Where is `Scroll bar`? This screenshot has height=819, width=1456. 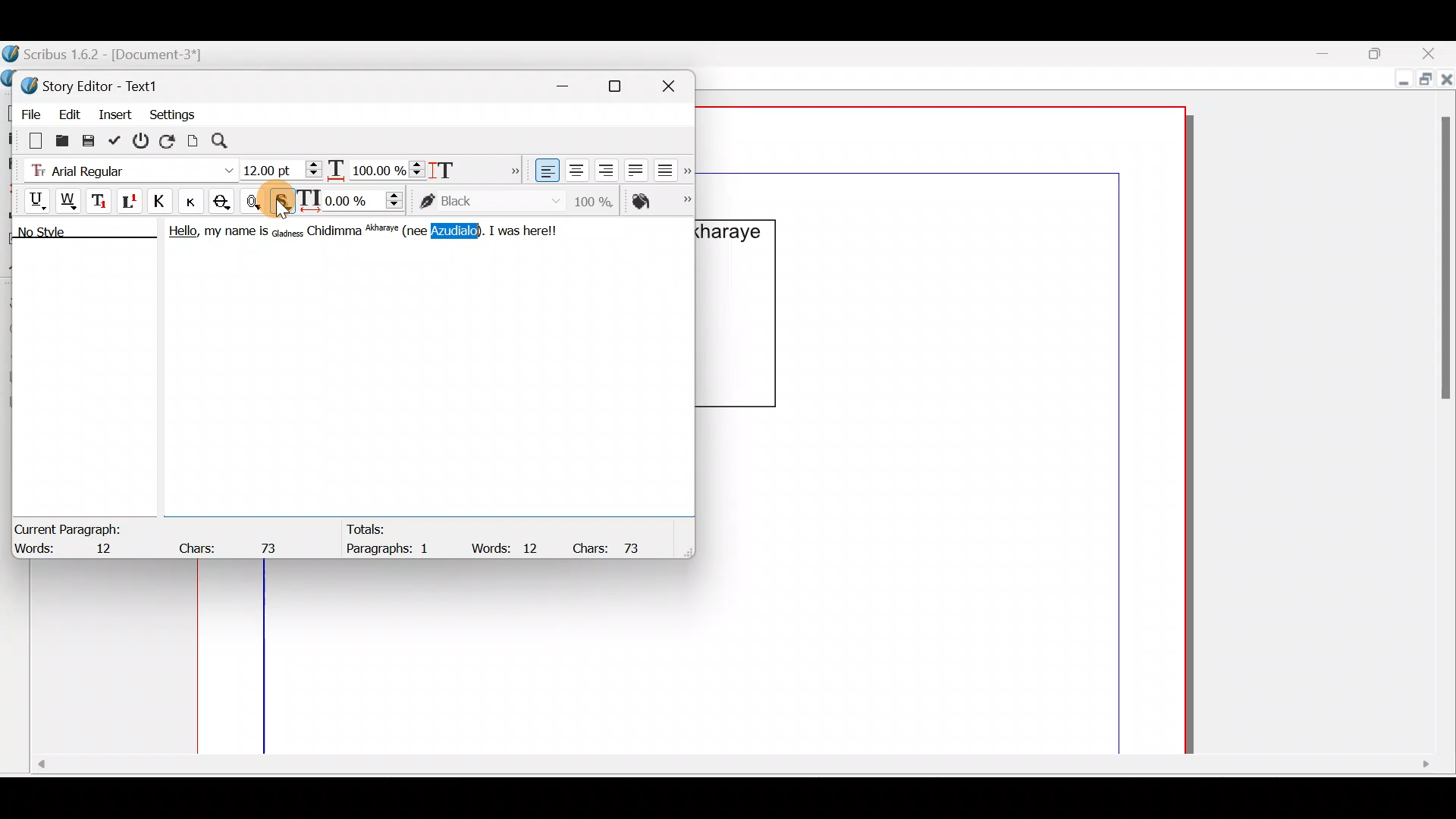
Scroll bar is located at coordinates (730, 770).